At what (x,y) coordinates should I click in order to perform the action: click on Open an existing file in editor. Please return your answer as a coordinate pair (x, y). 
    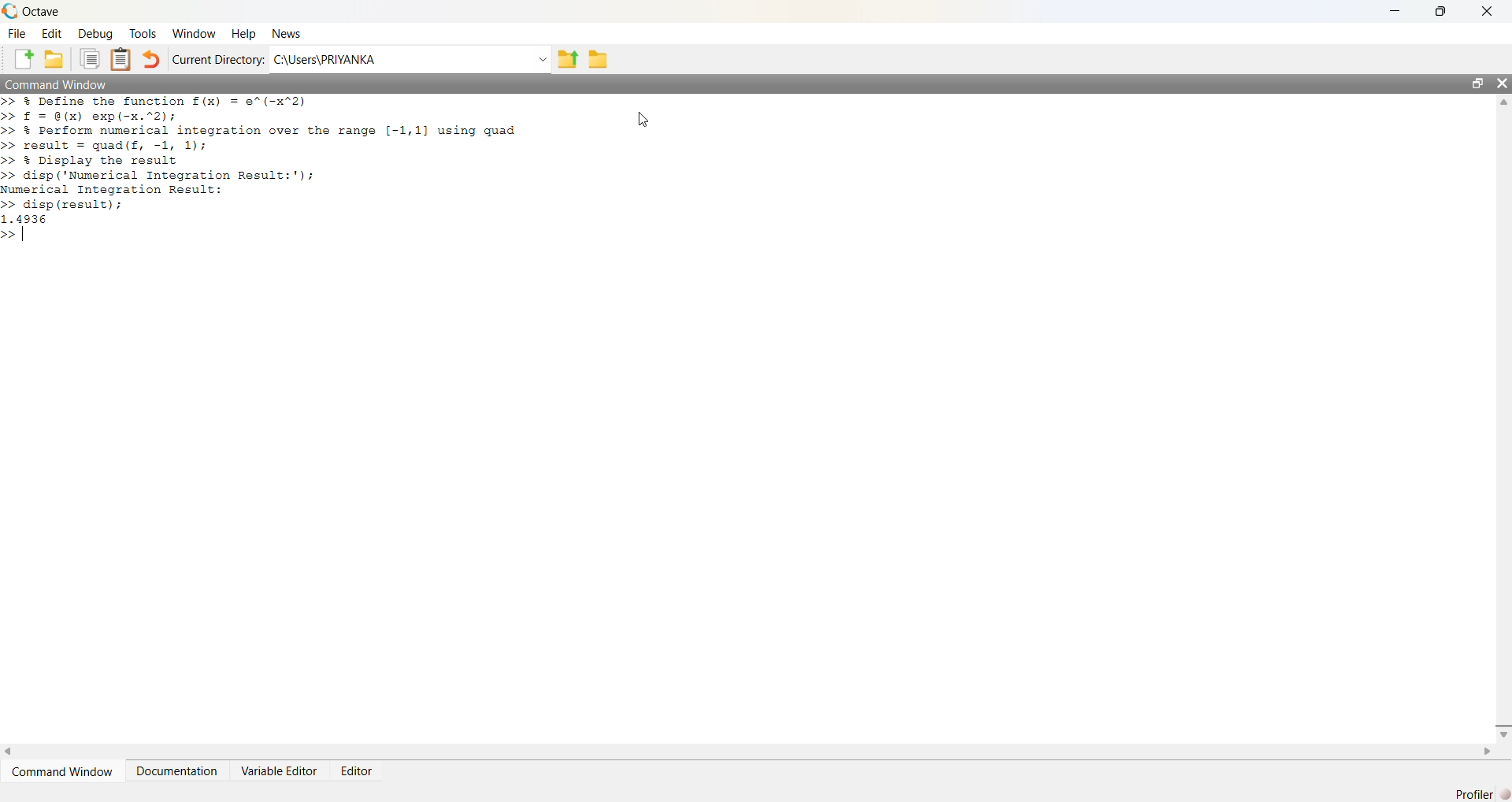
    Looking at the image, I should click on (54, 58).